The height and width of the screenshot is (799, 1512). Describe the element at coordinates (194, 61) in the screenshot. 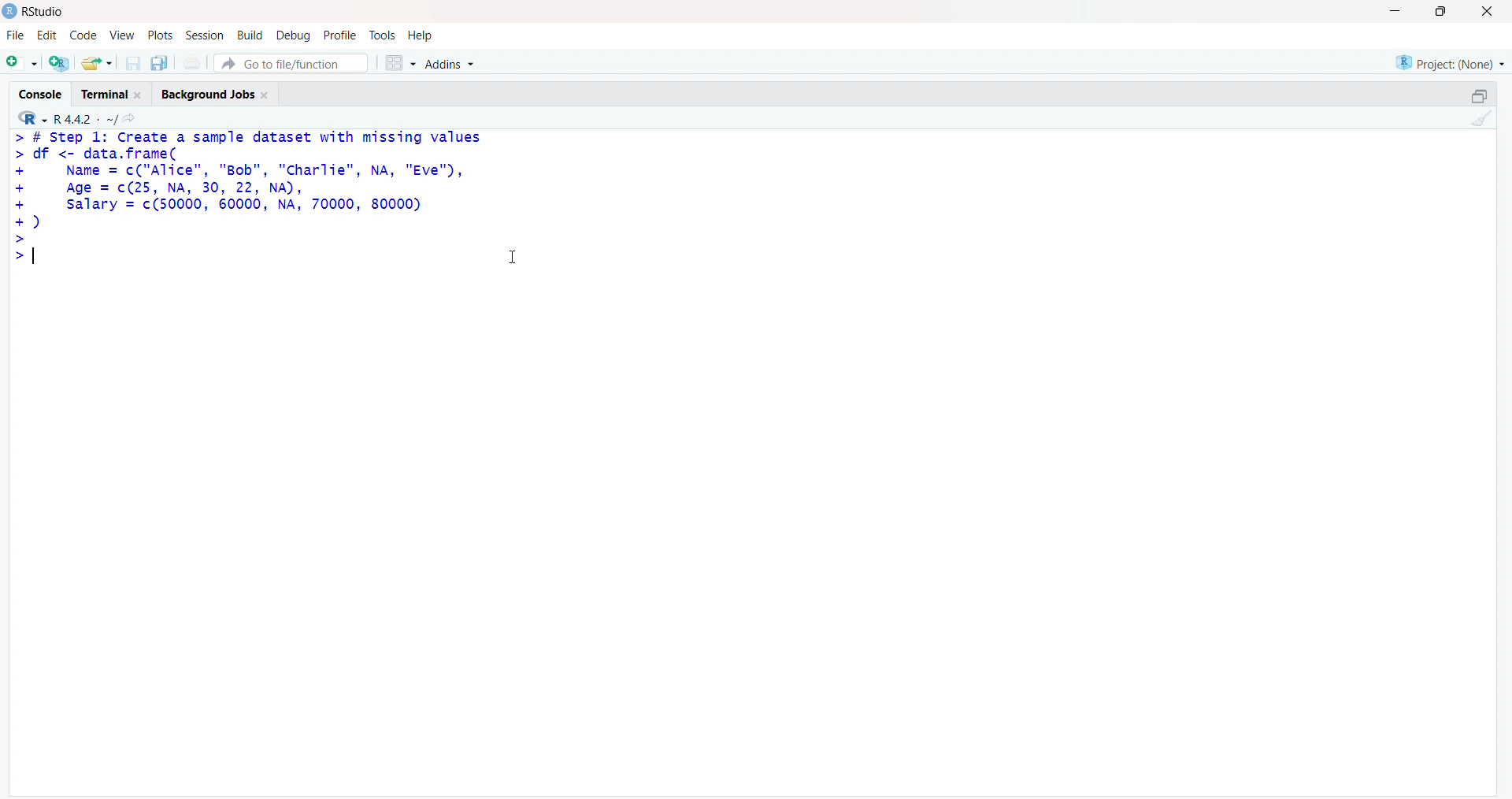

I see `Print the current file` at that location.